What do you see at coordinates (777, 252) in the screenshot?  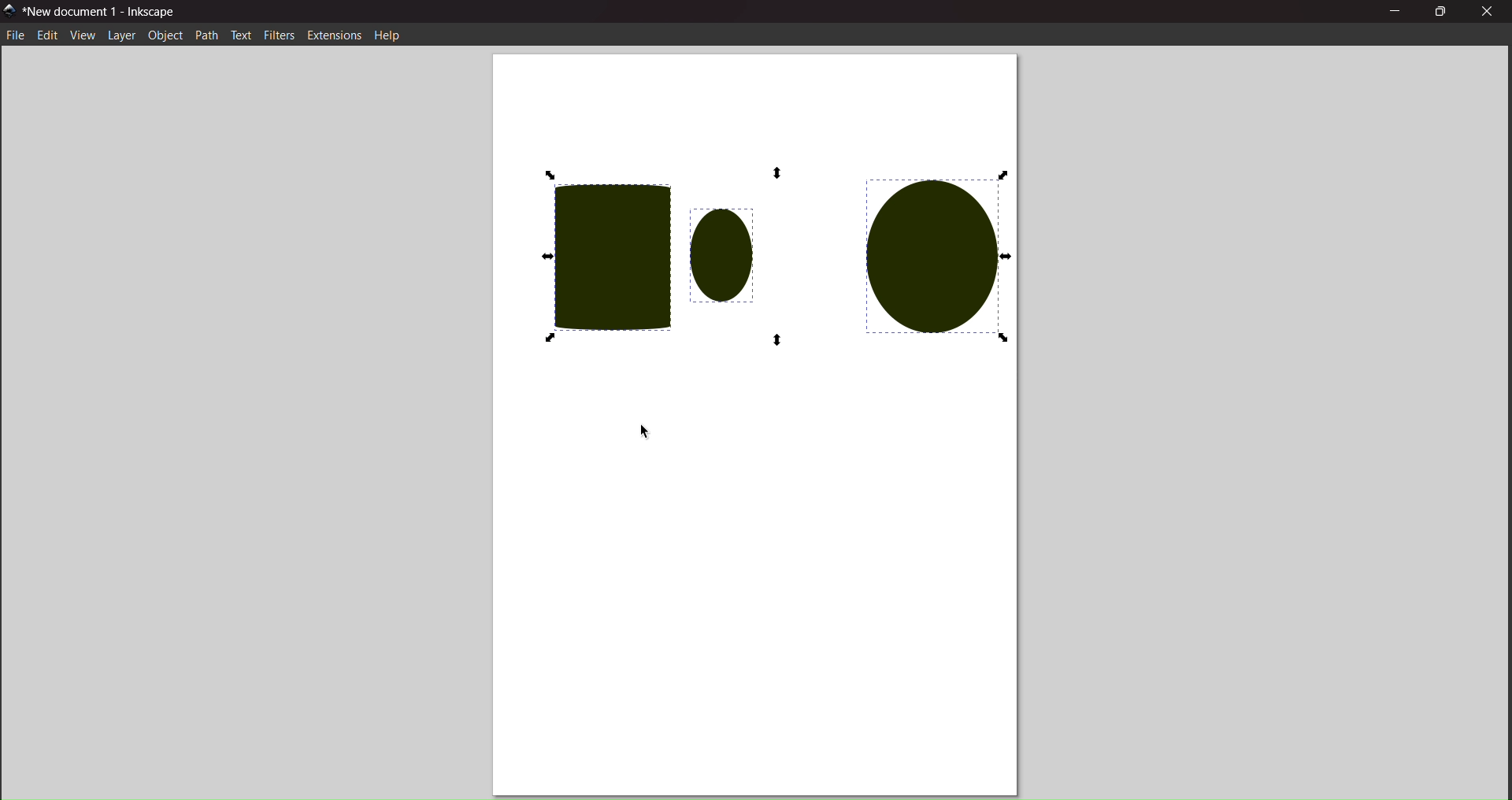 I see `all selected objects` at bounding box center [777, 252].